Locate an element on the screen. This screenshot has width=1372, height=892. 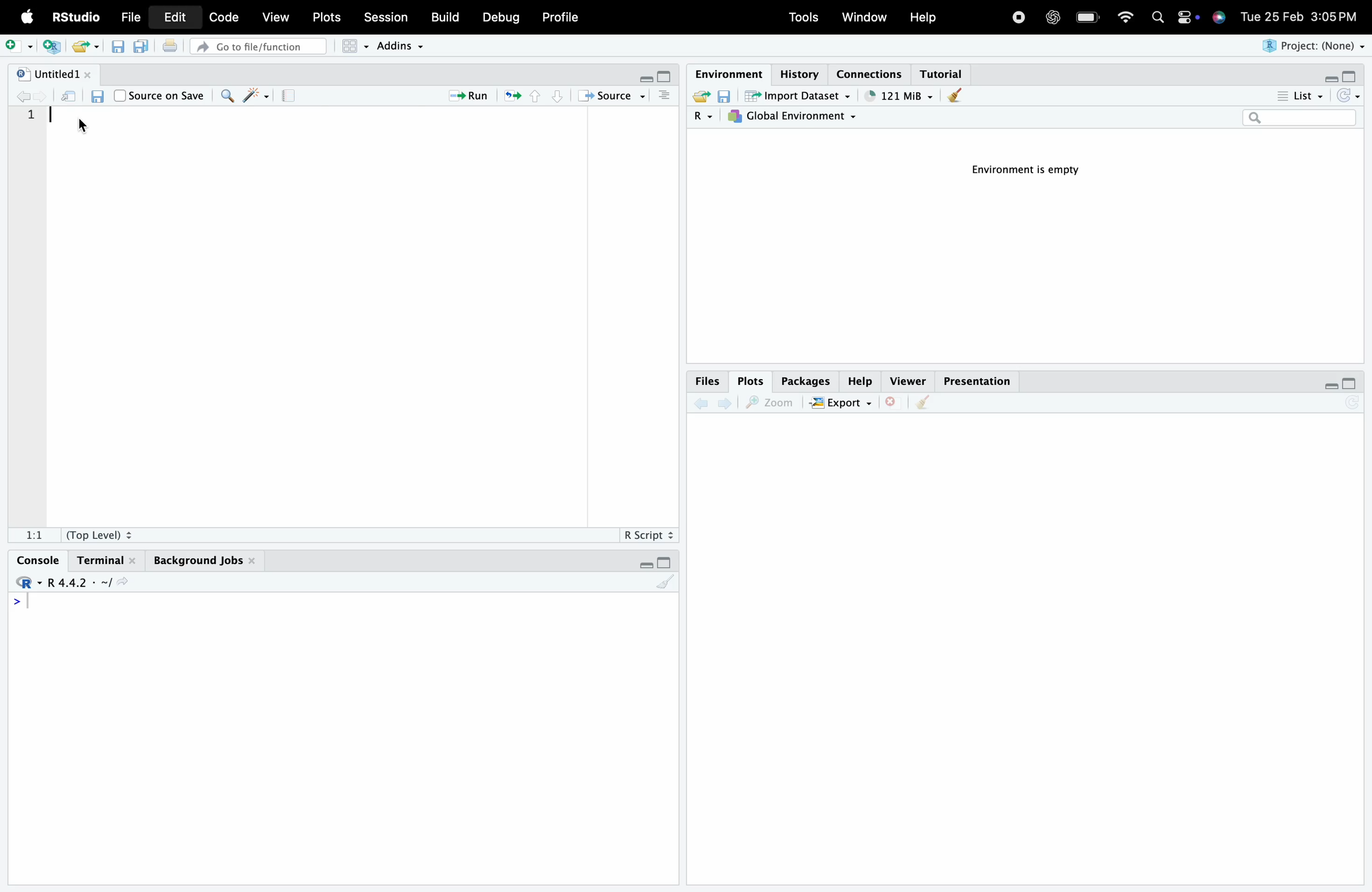
View is located at coordinates (278, 16).